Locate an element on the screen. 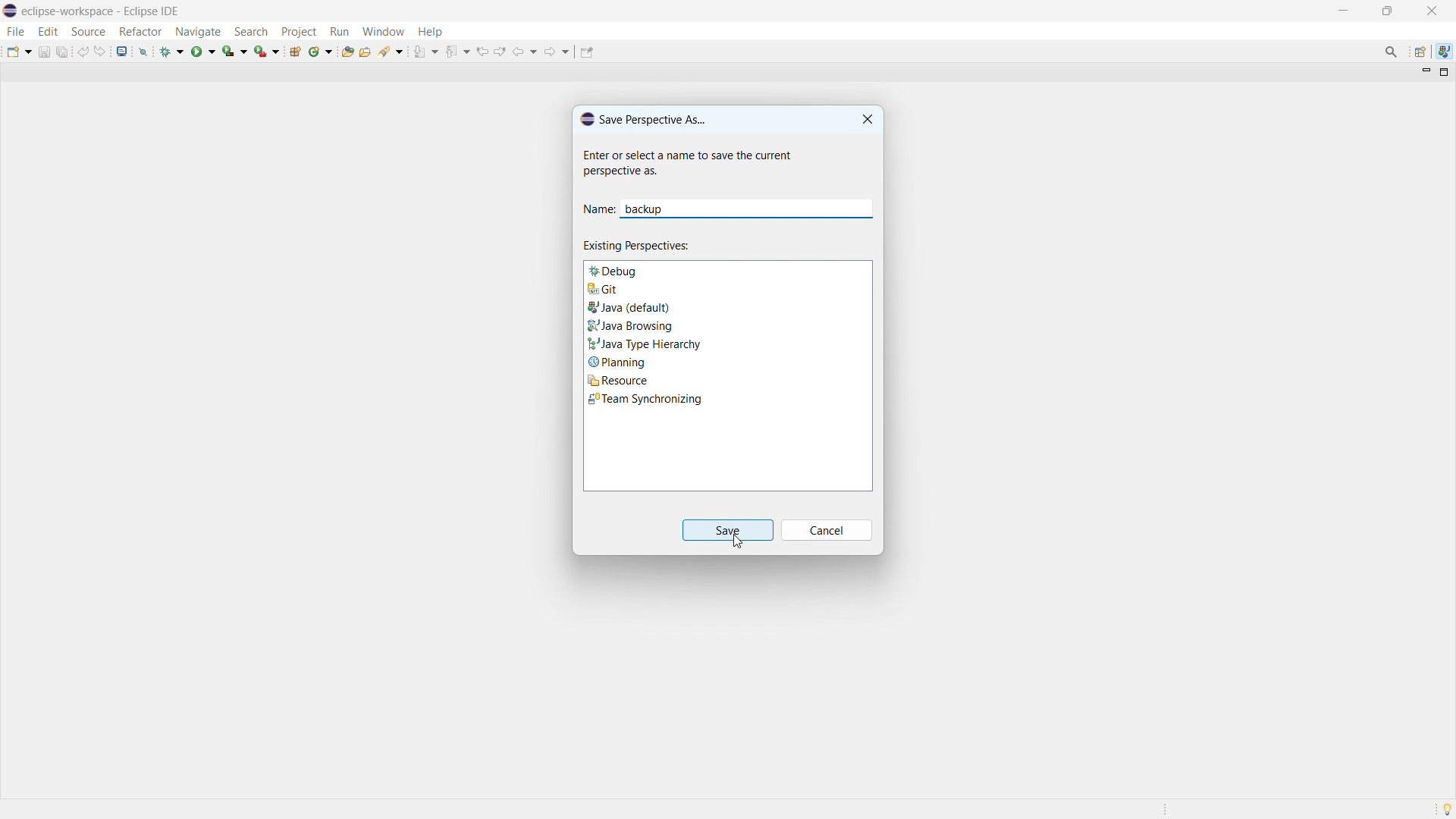 This screenshot has width=1456, height=819. project is located at coordinates (300, 31).